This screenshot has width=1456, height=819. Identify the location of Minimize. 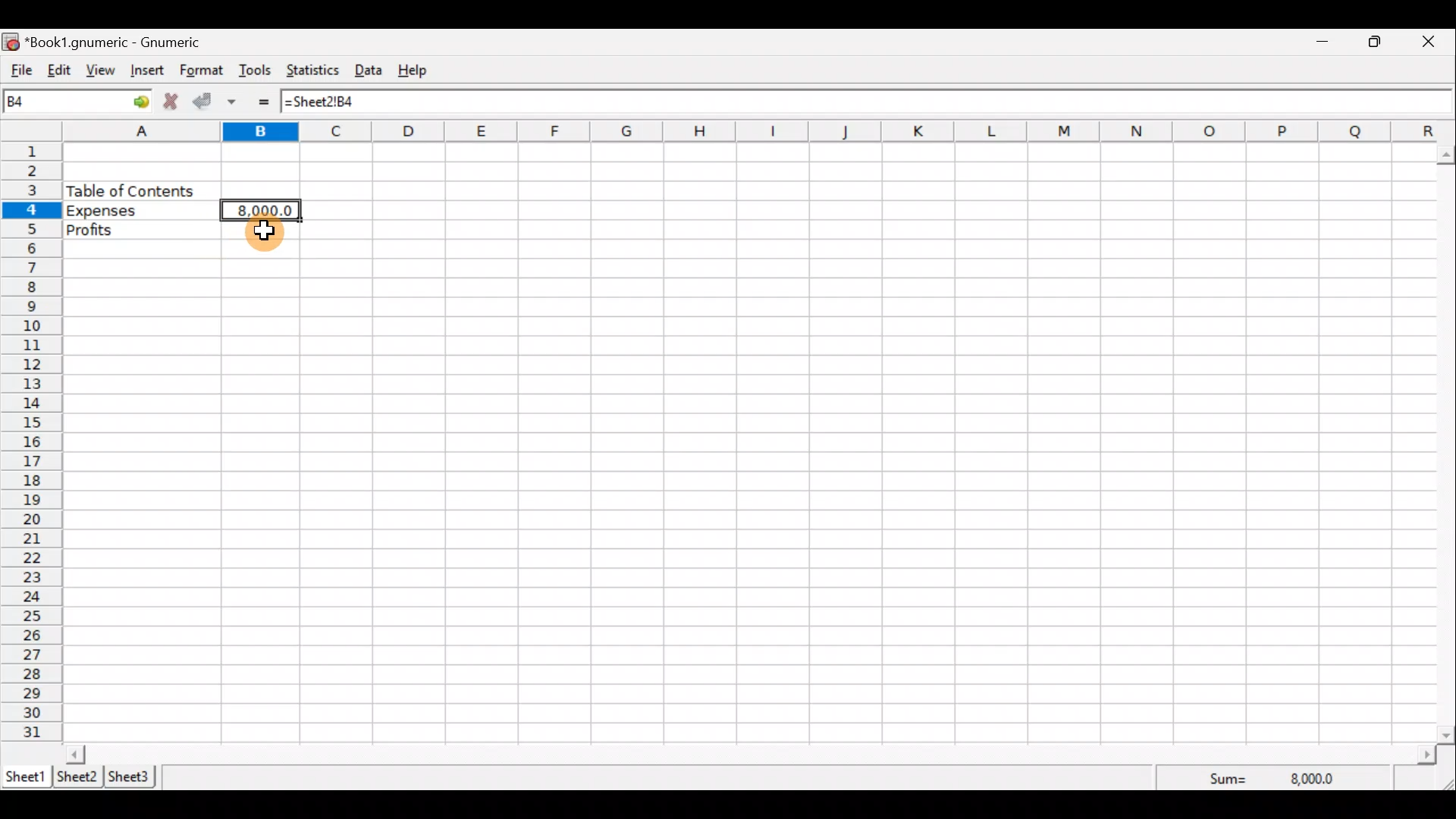
(1323, 43).